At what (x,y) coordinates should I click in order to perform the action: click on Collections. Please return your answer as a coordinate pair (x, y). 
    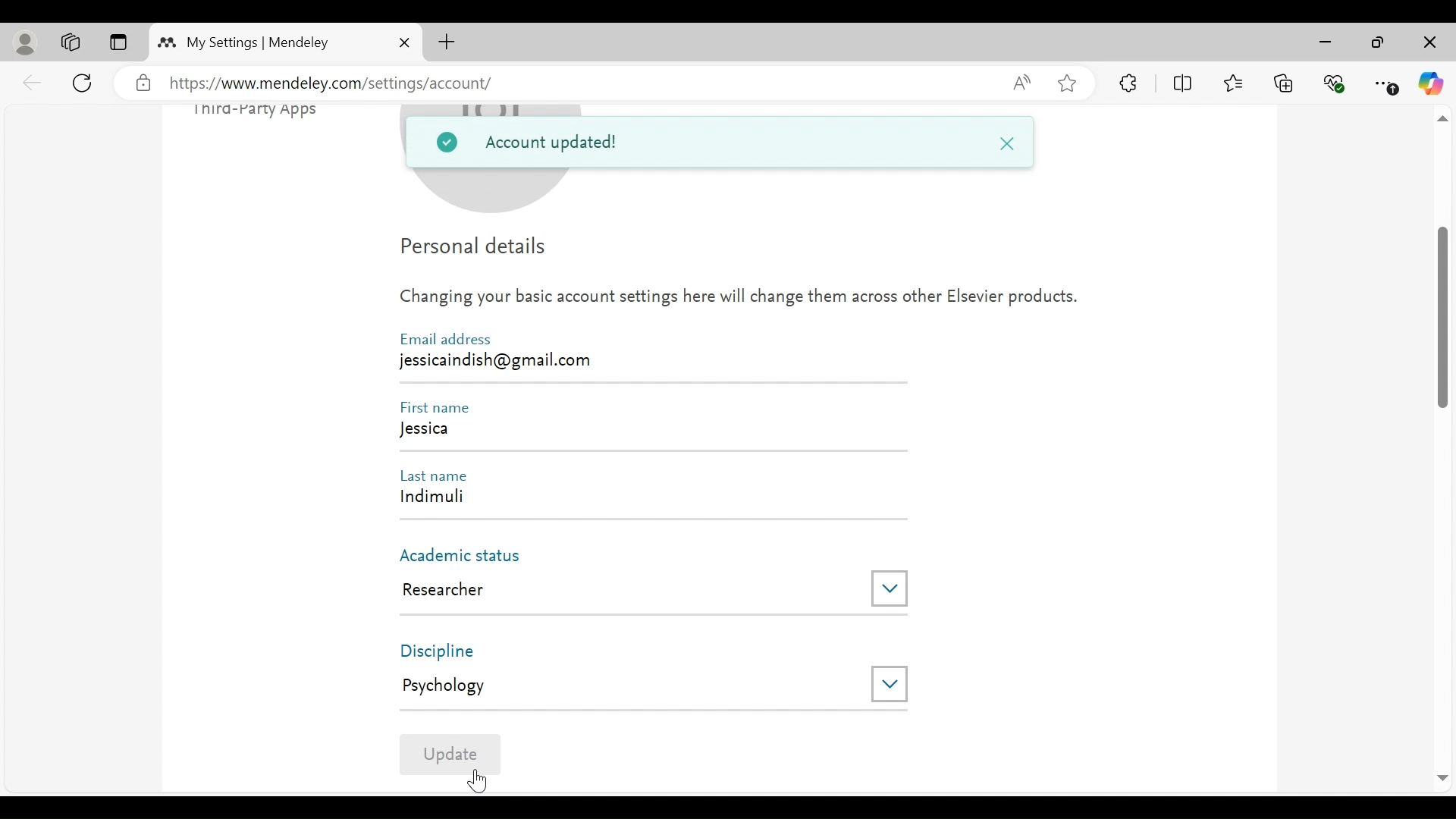
    Looking at the image, I should click on (1284, 82).